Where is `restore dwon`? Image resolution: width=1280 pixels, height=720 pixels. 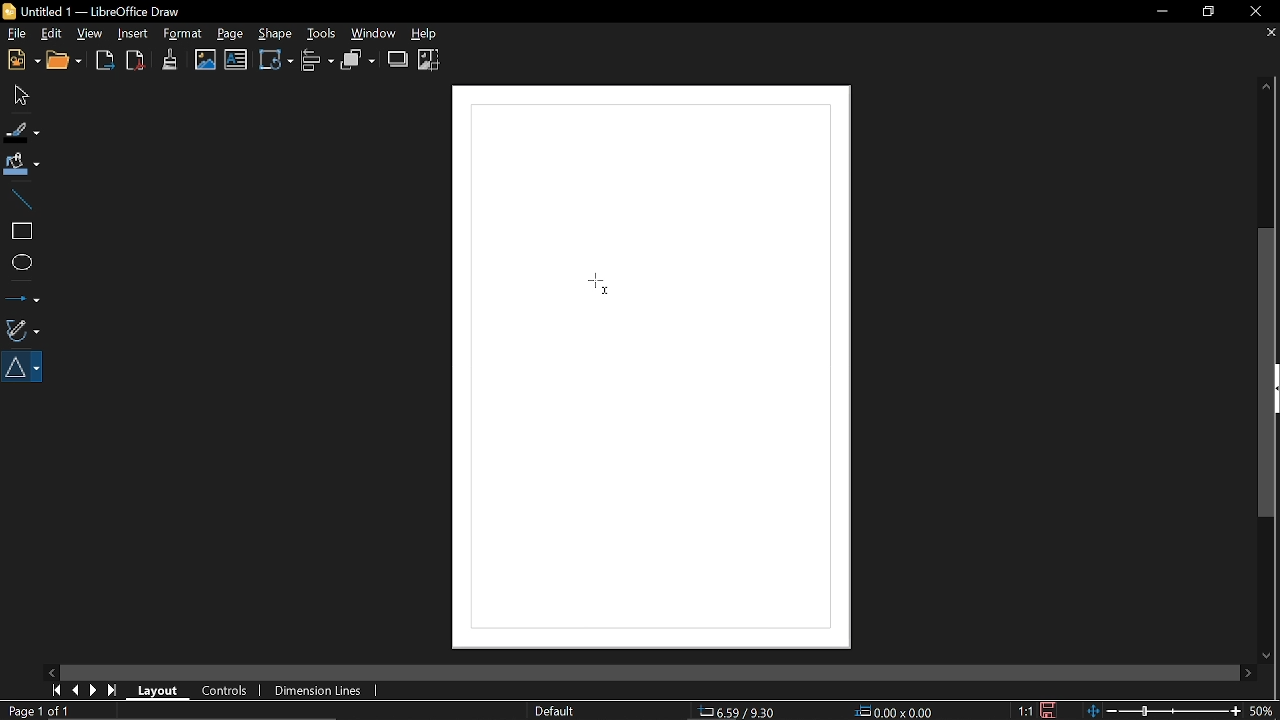 restore dwon is located at coordinates (1209, 13).